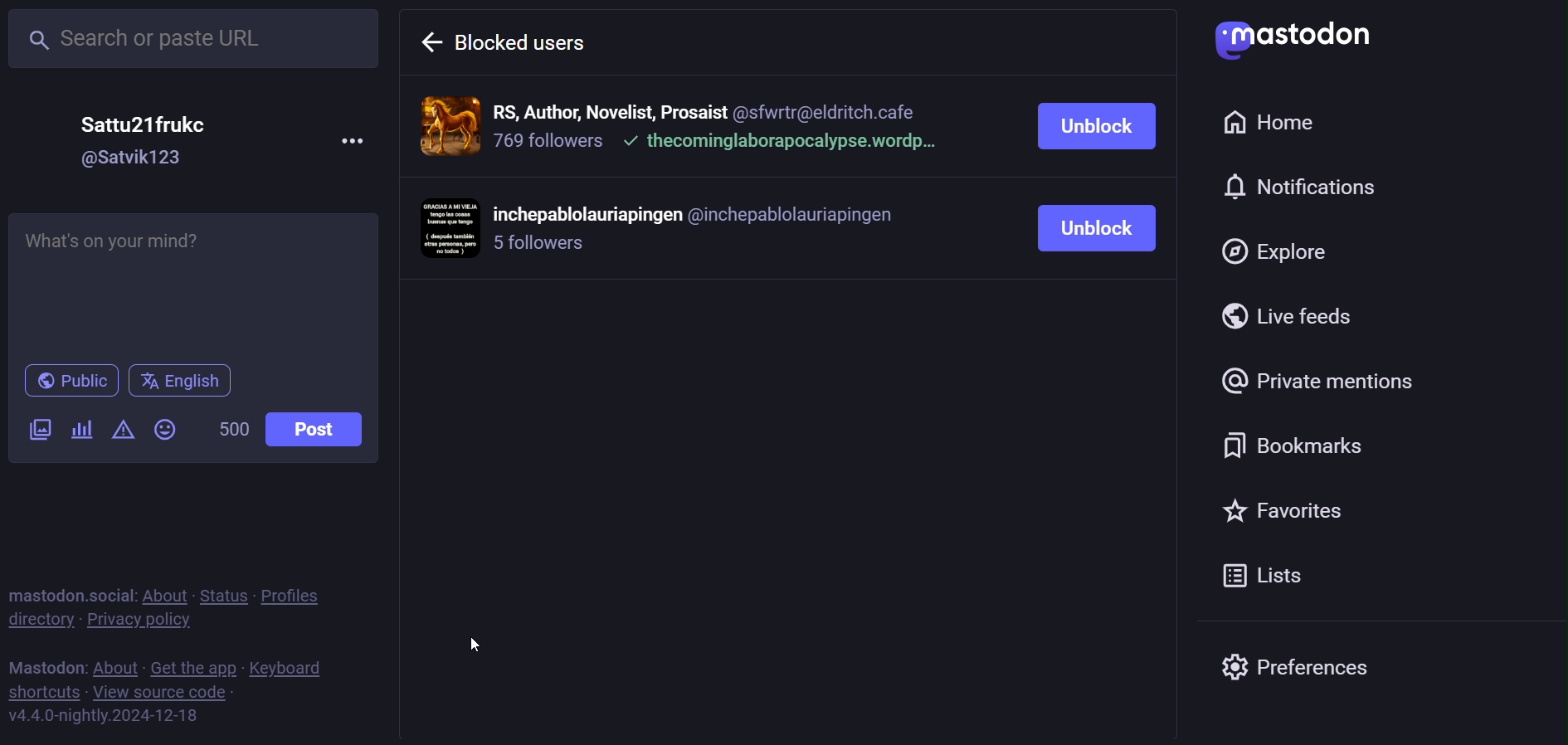  What do you see at coordinates (195, 285) in the screenshot?
I see `whats on your mind` at bounding box center [195, 285].